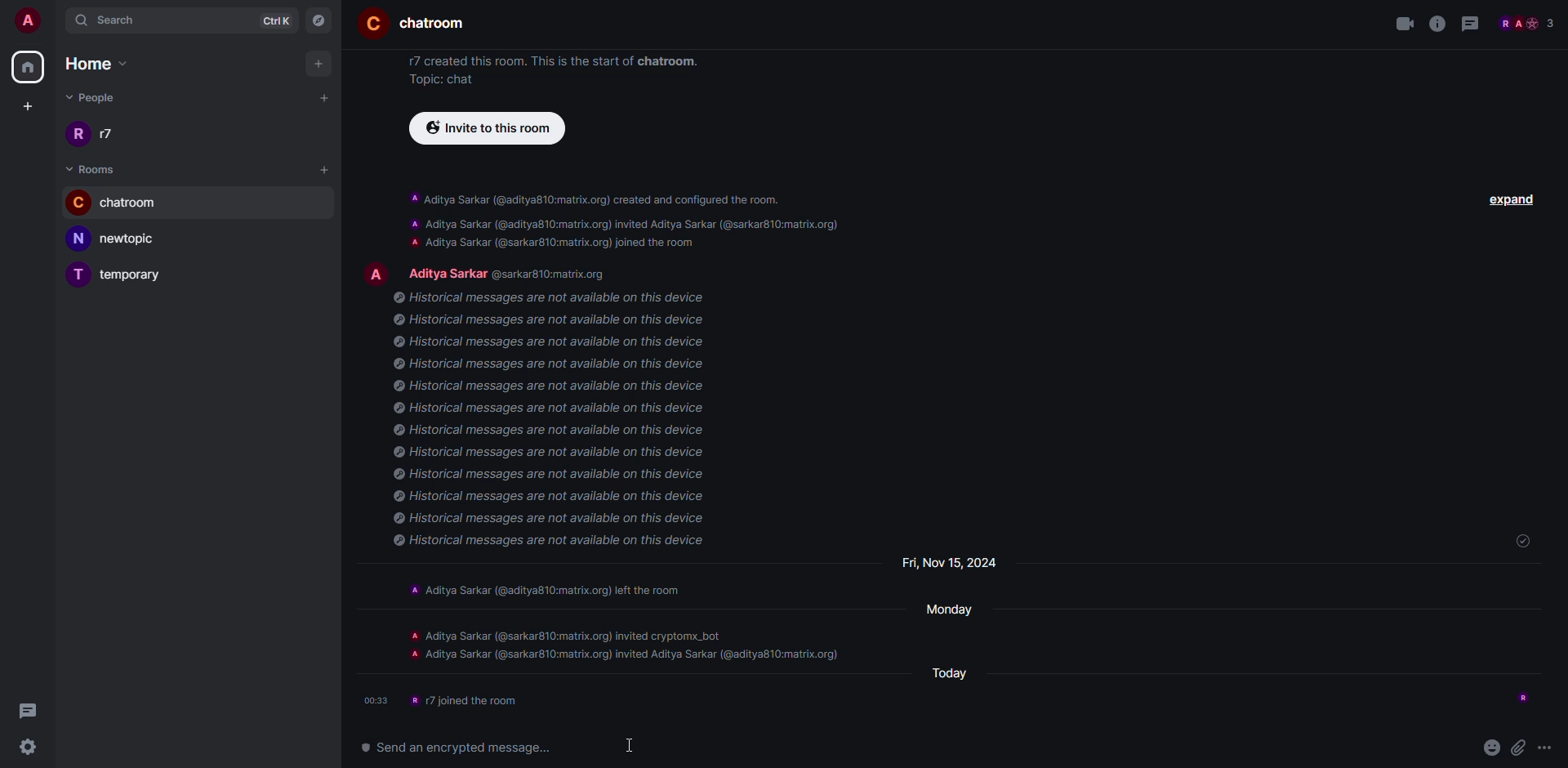  I want to click on add, so click(326, 96).